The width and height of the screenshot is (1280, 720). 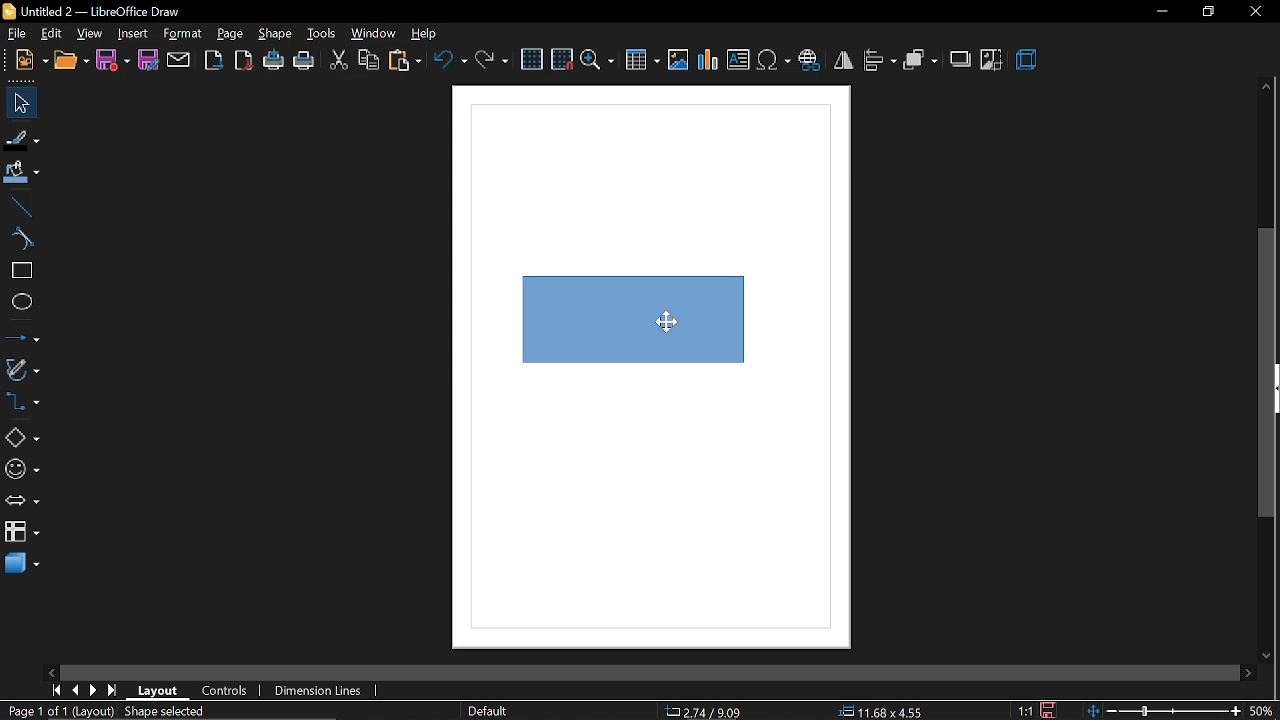 I want to click on insert chart, so click(x=708, y=61).